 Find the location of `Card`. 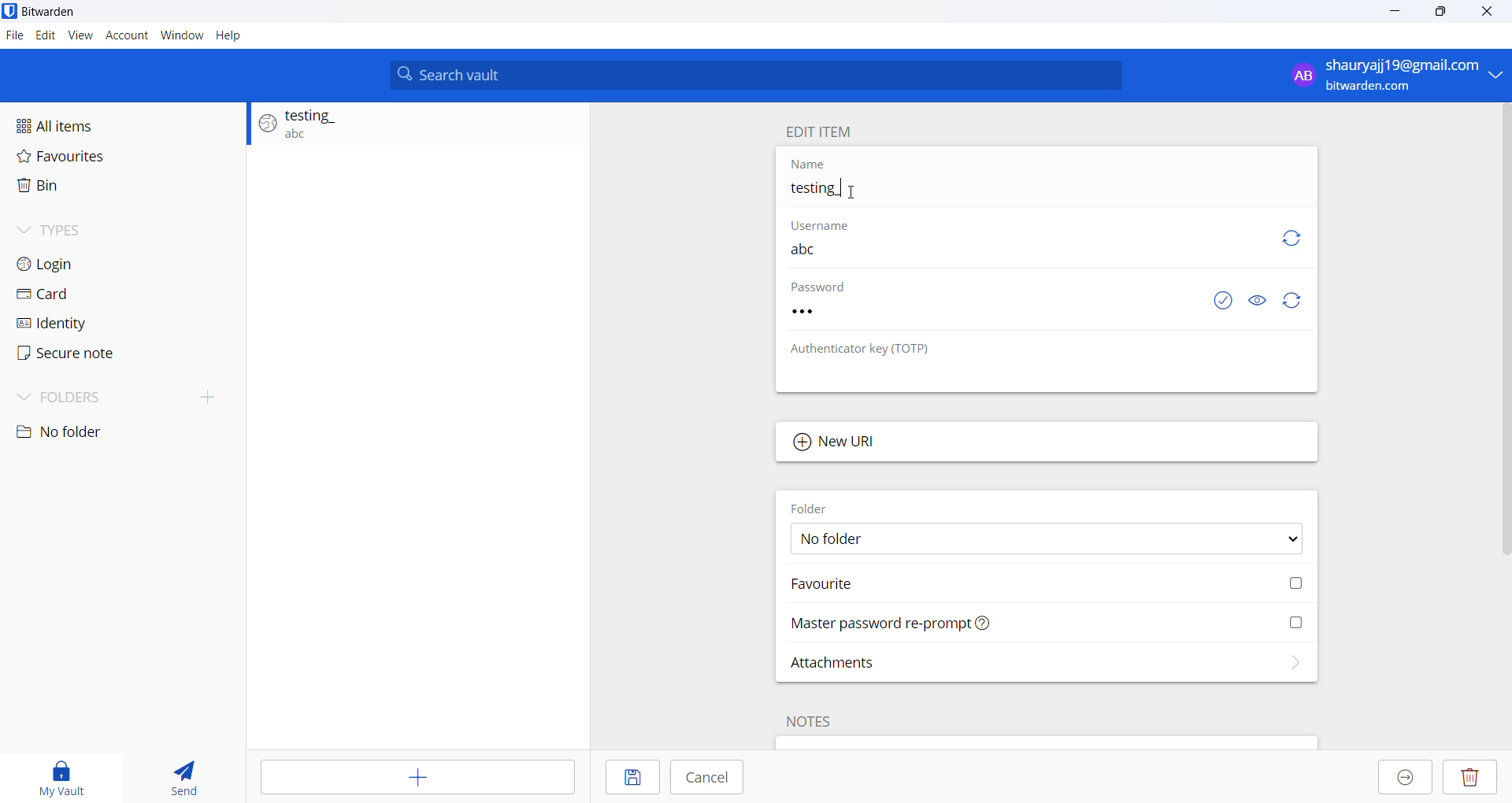

Card is located at coordinates (108, 295).